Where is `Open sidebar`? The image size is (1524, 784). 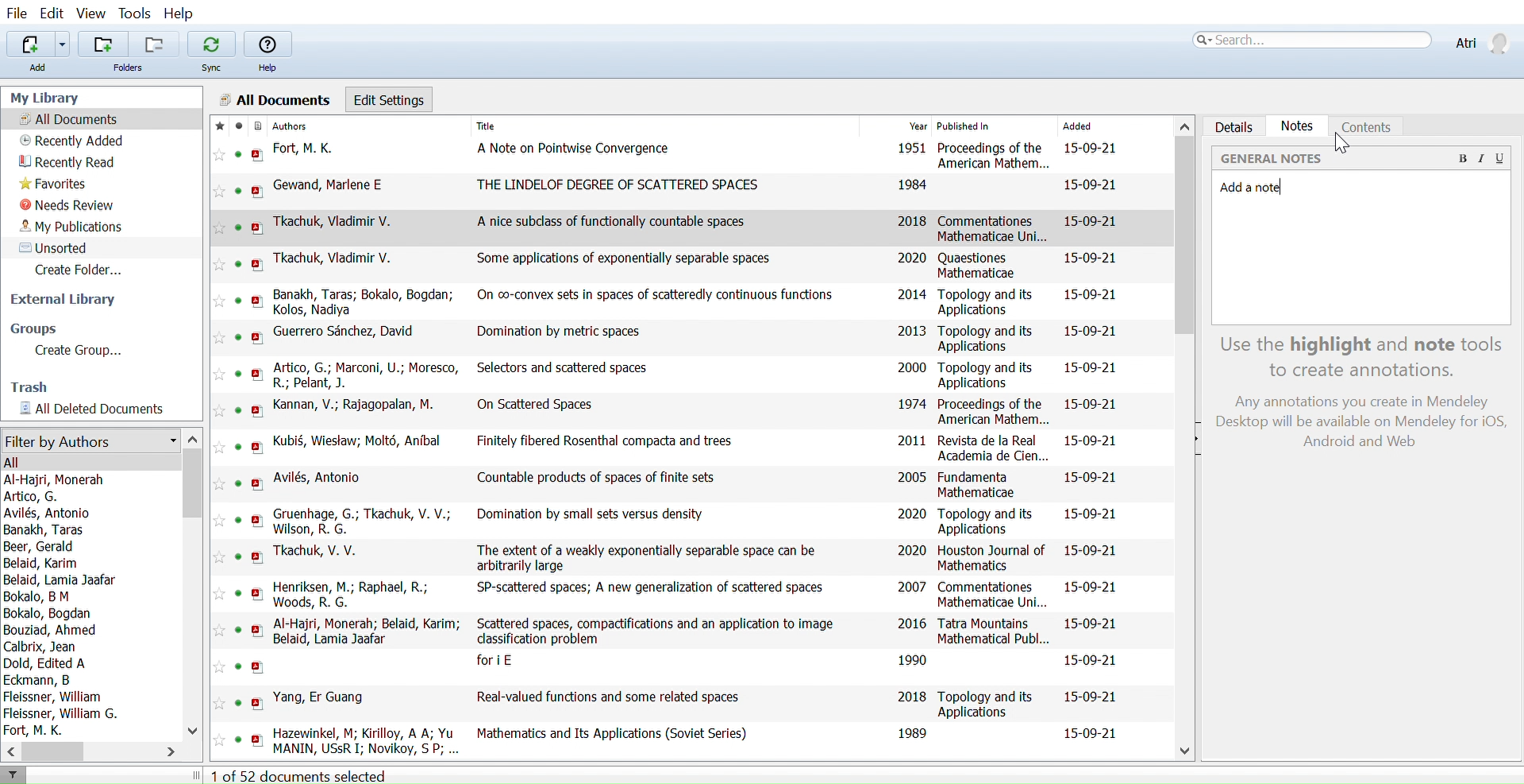 Open sidebar is located at coordinates (1197, 440).